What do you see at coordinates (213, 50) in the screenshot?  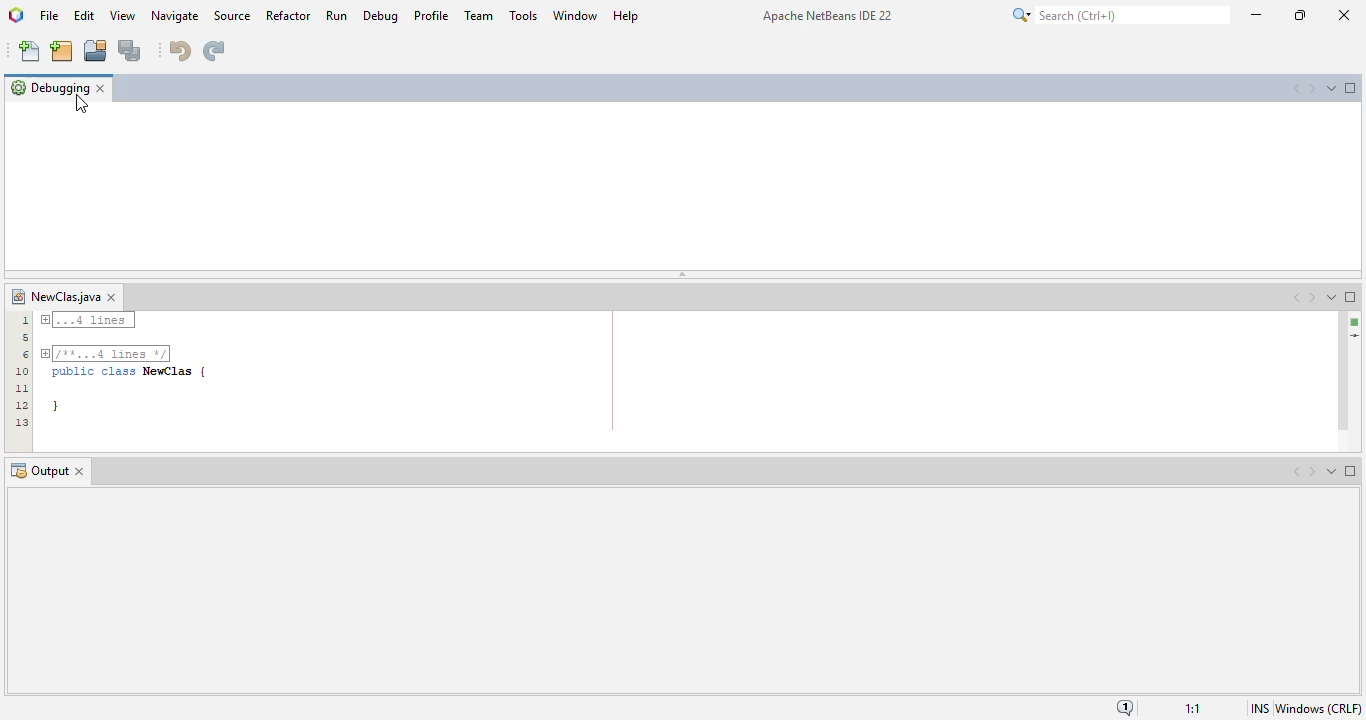 I see `redo` at bounding box center [213, 50].